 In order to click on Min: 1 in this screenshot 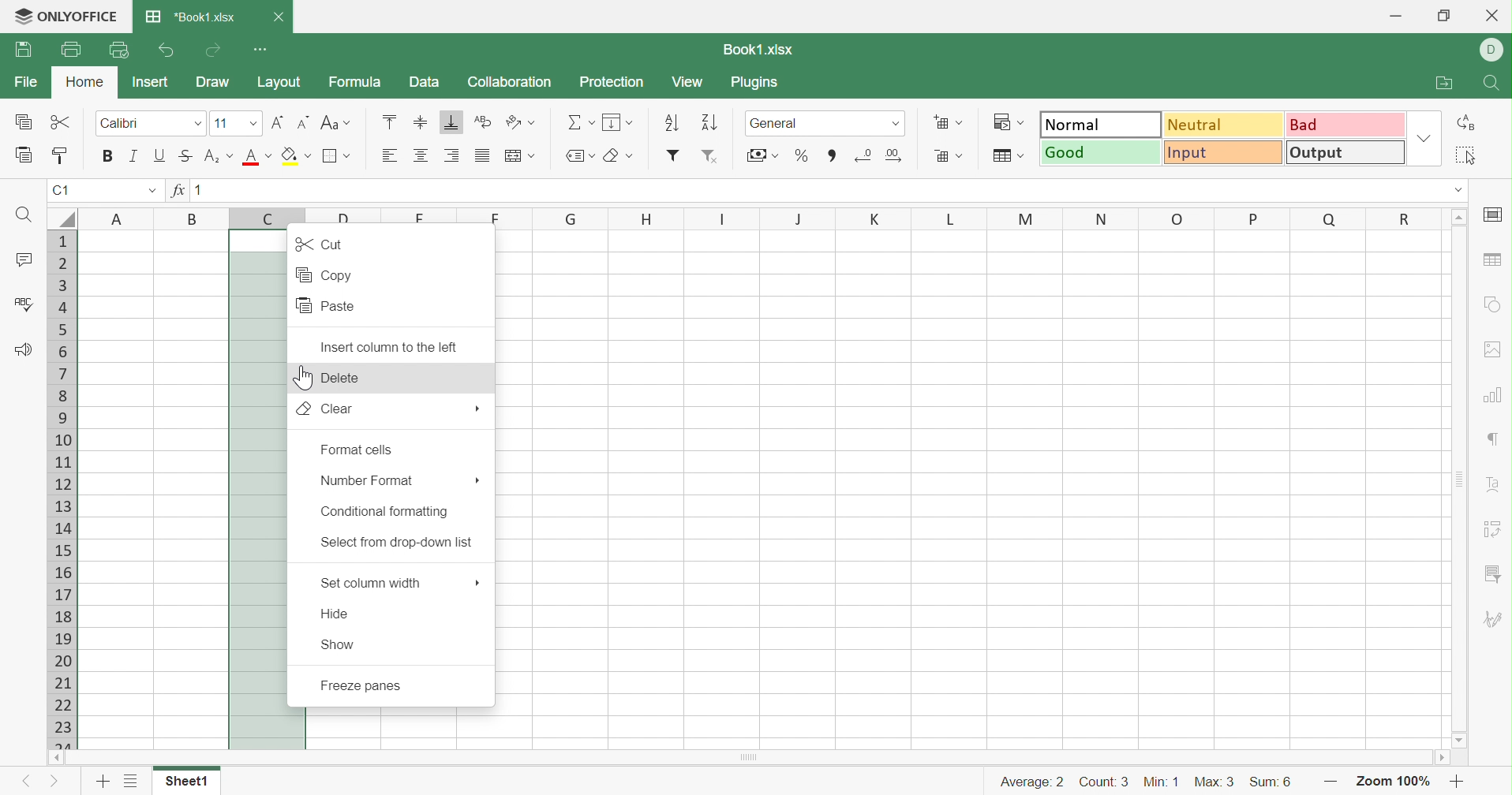, I will do `click(1161, 780)`.